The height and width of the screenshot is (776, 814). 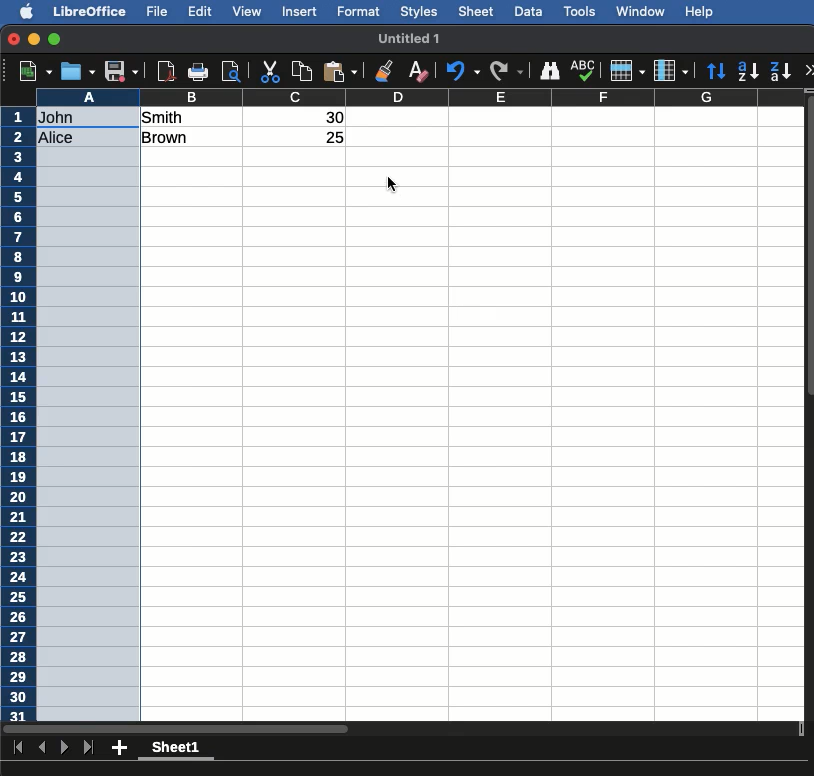 I want to click on Tools, so click(x=581, y=12).